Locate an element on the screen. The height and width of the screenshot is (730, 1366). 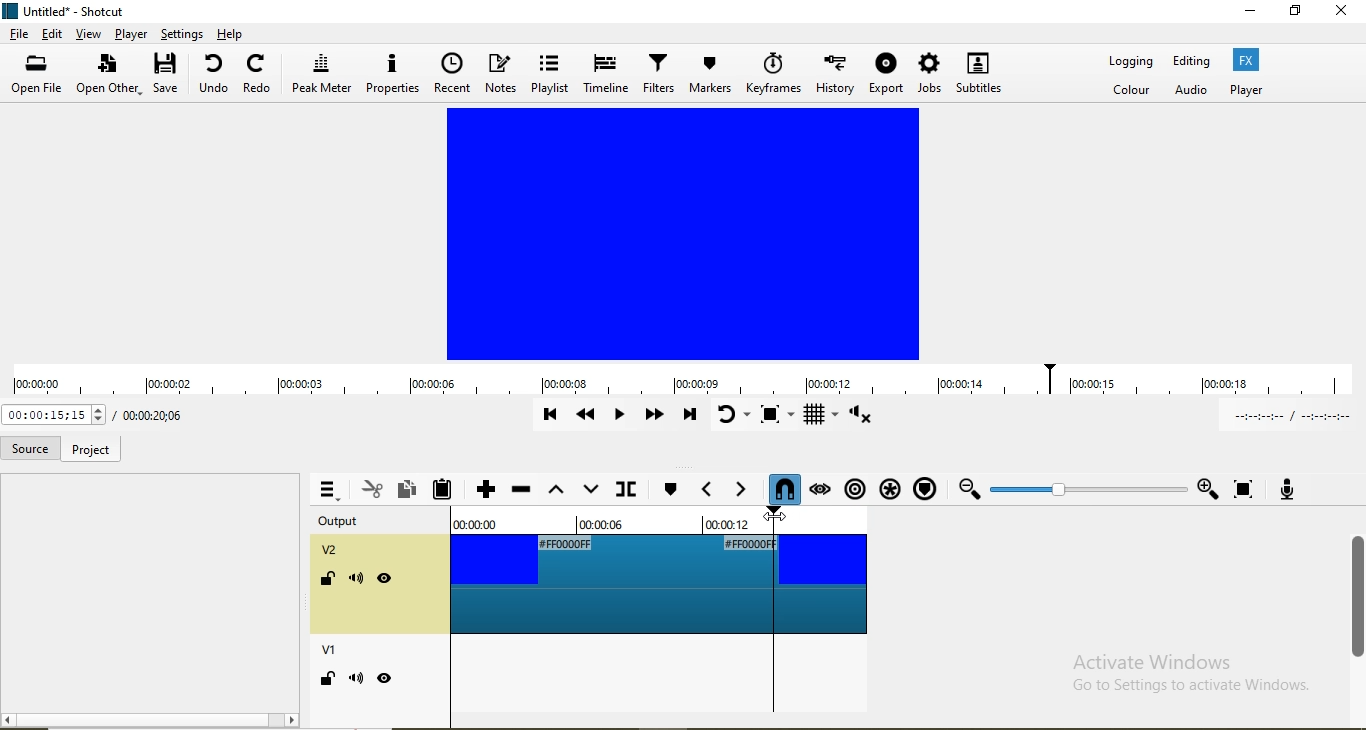
visibility is located at coordinates (385, 579).